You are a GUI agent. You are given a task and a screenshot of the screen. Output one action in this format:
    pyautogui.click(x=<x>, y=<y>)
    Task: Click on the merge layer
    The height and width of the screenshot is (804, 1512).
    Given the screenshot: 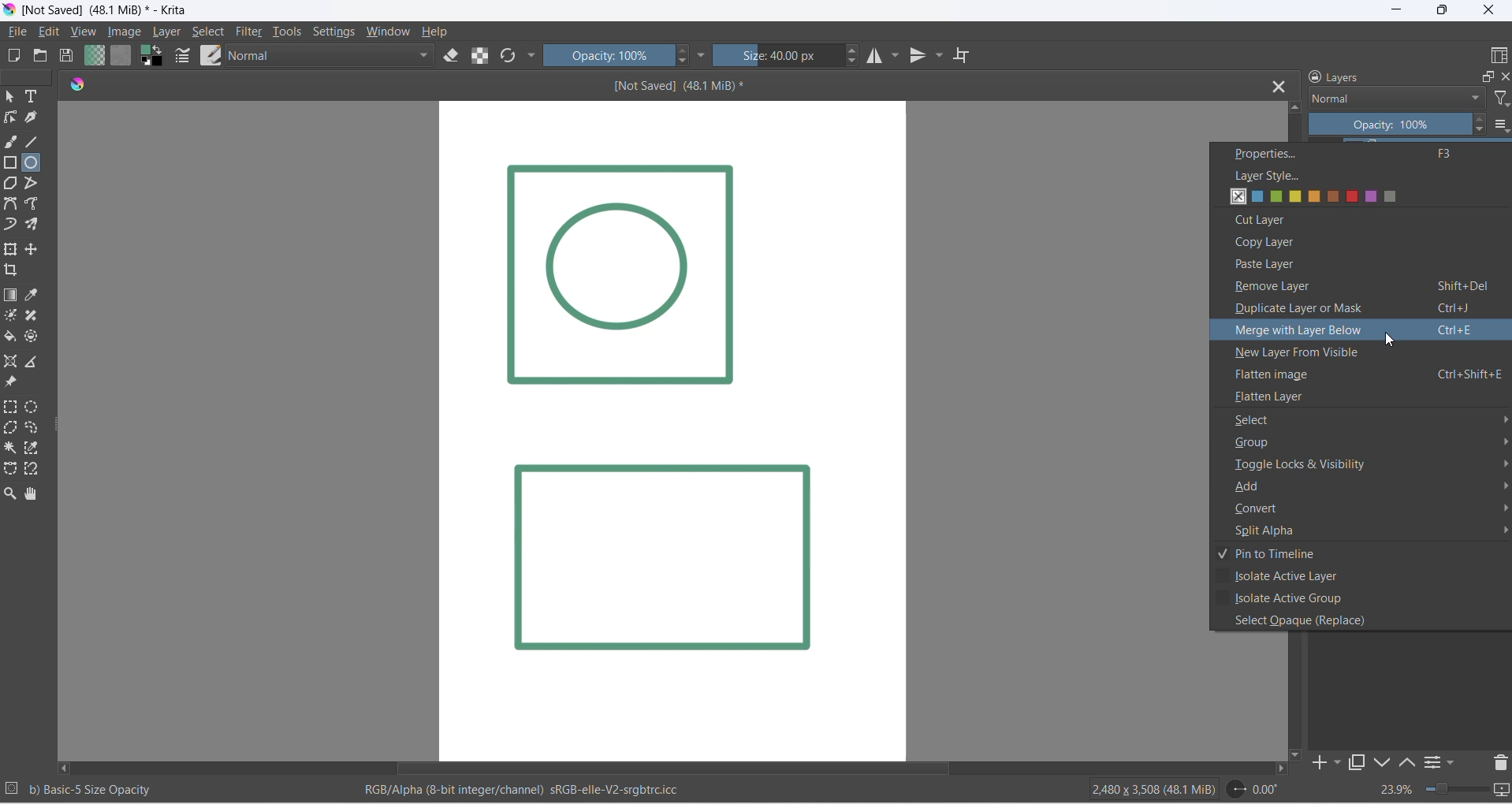 What is the action you would take?
    pyautogui.click(x=1365, y=329)
    